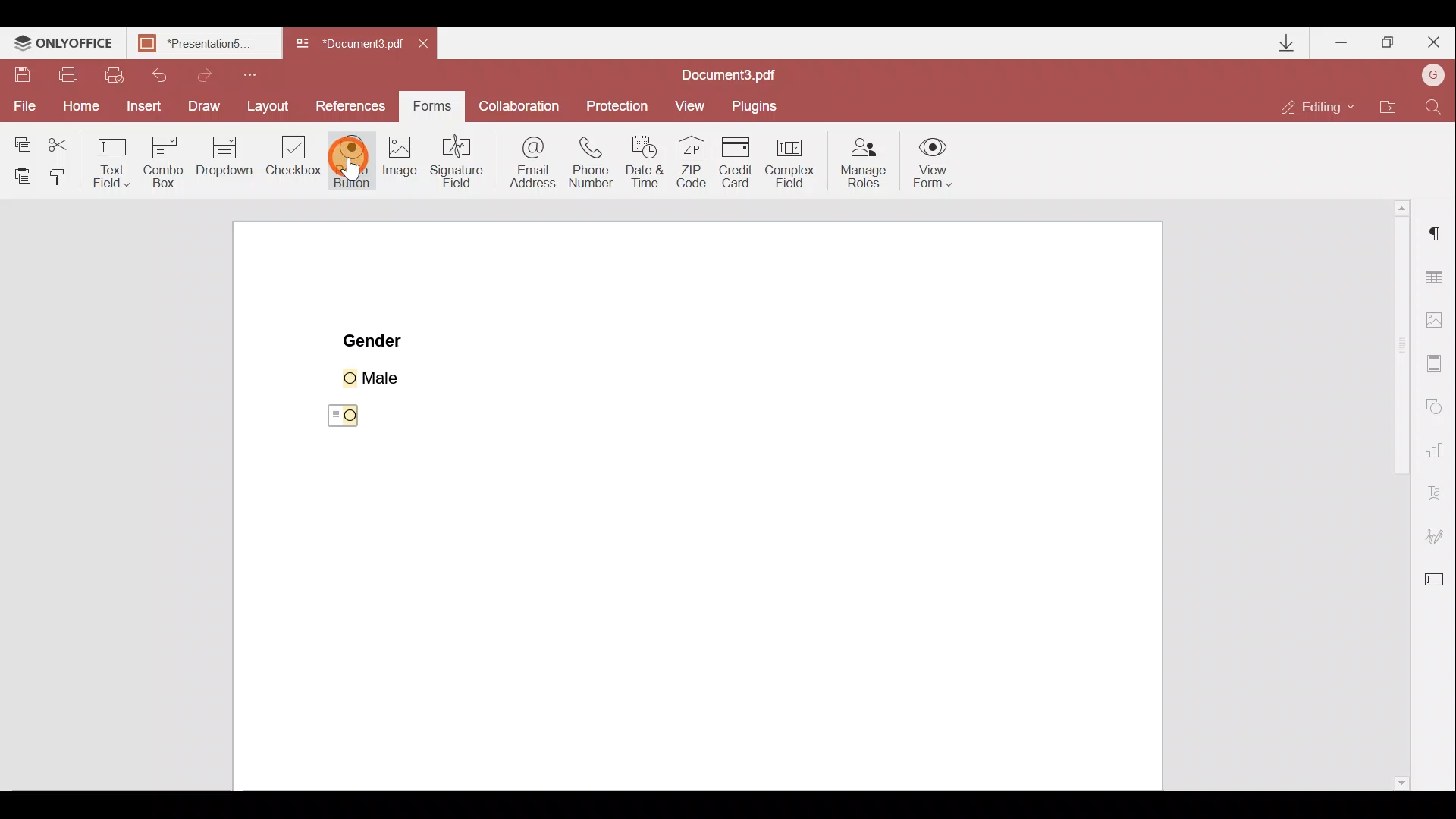 The image size is (1456, 819). Describe the element at coordinates (795, 160) in the screenshot. I see `Complex field` at that location.